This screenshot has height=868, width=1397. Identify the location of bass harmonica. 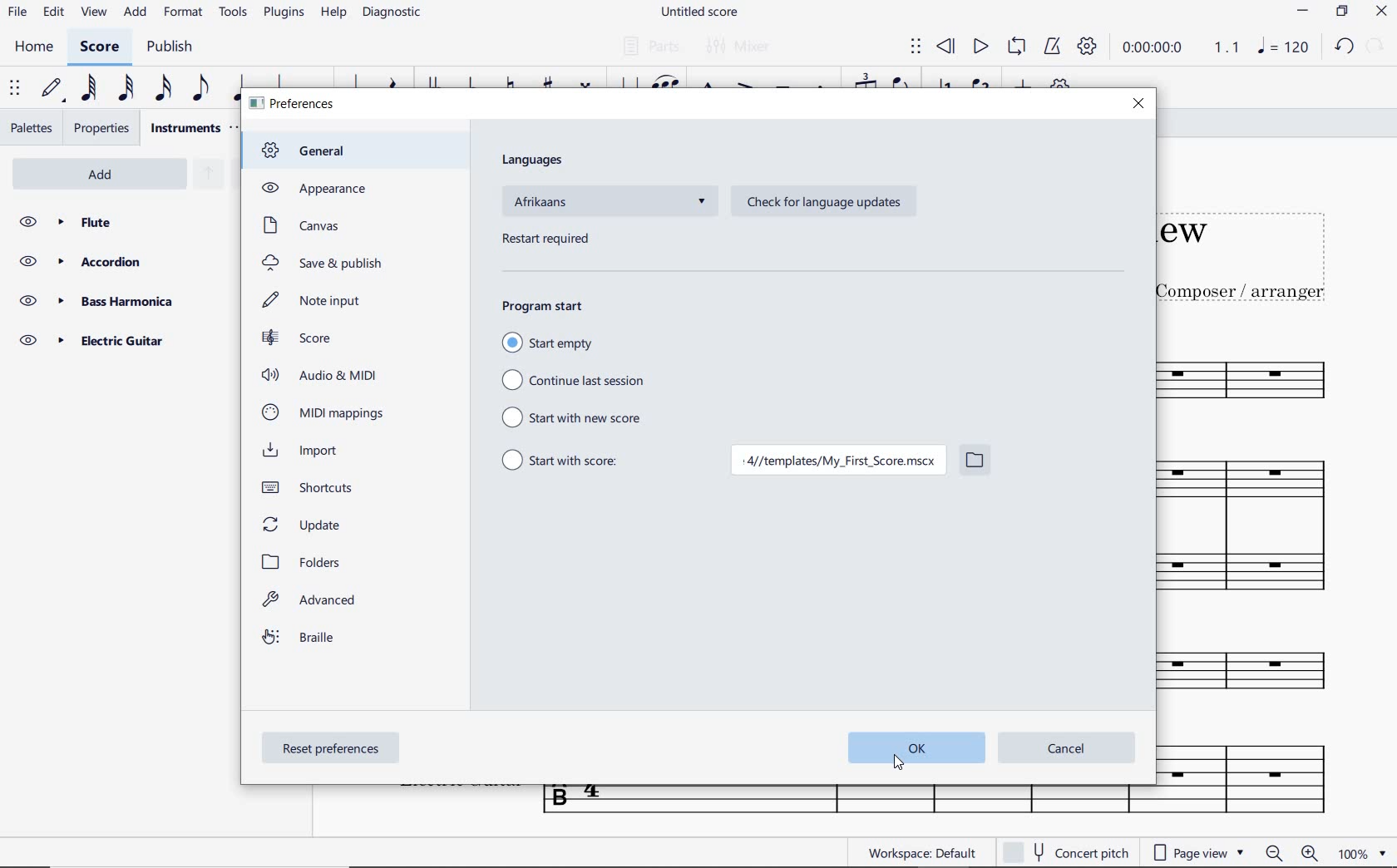
(119, 301).